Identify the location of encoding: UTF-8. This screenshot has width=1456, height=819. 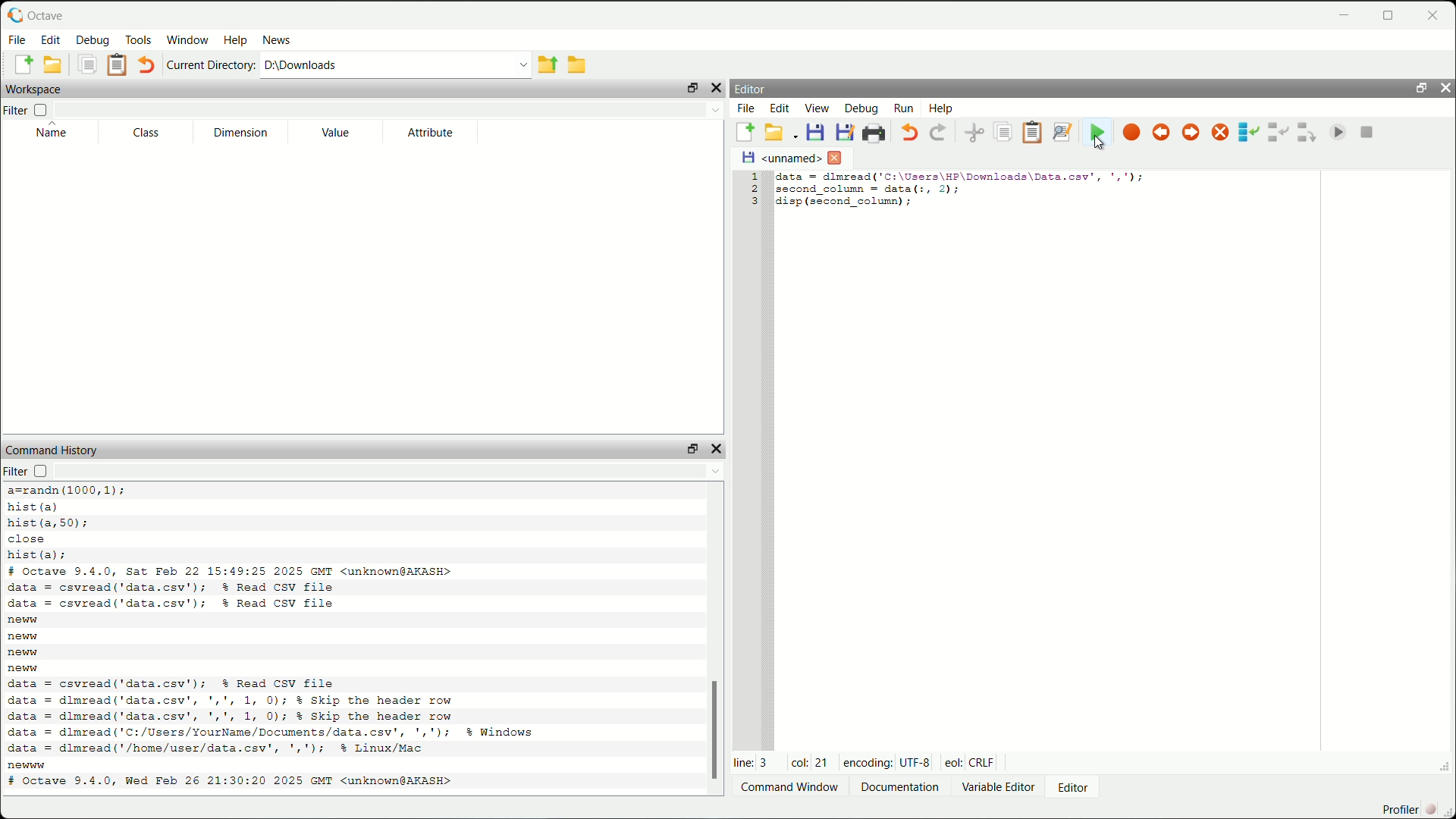
(887, 761).